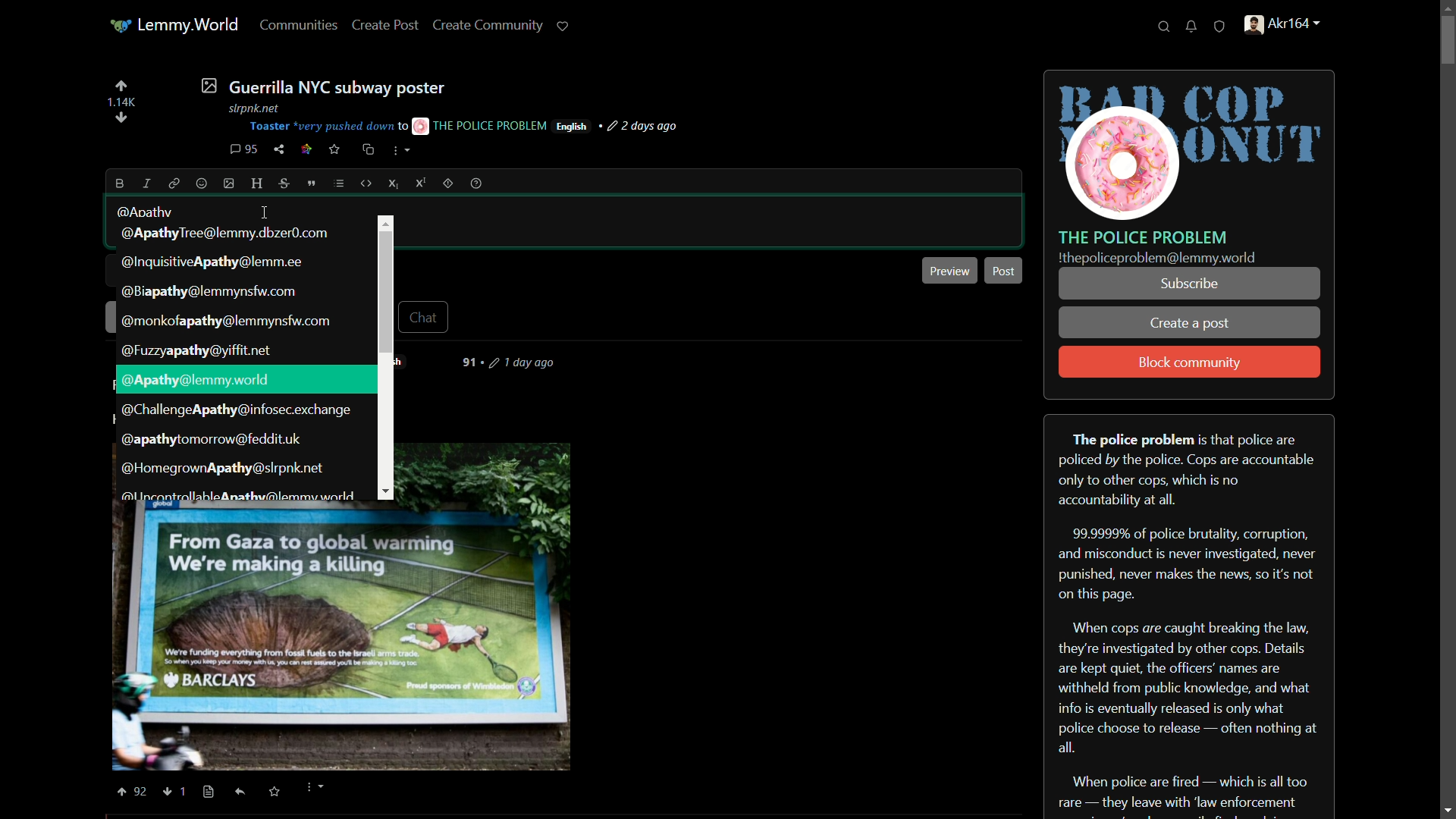 The height and width of the screenshot is (819, 1456). I want to click on code, so click(367, 184).